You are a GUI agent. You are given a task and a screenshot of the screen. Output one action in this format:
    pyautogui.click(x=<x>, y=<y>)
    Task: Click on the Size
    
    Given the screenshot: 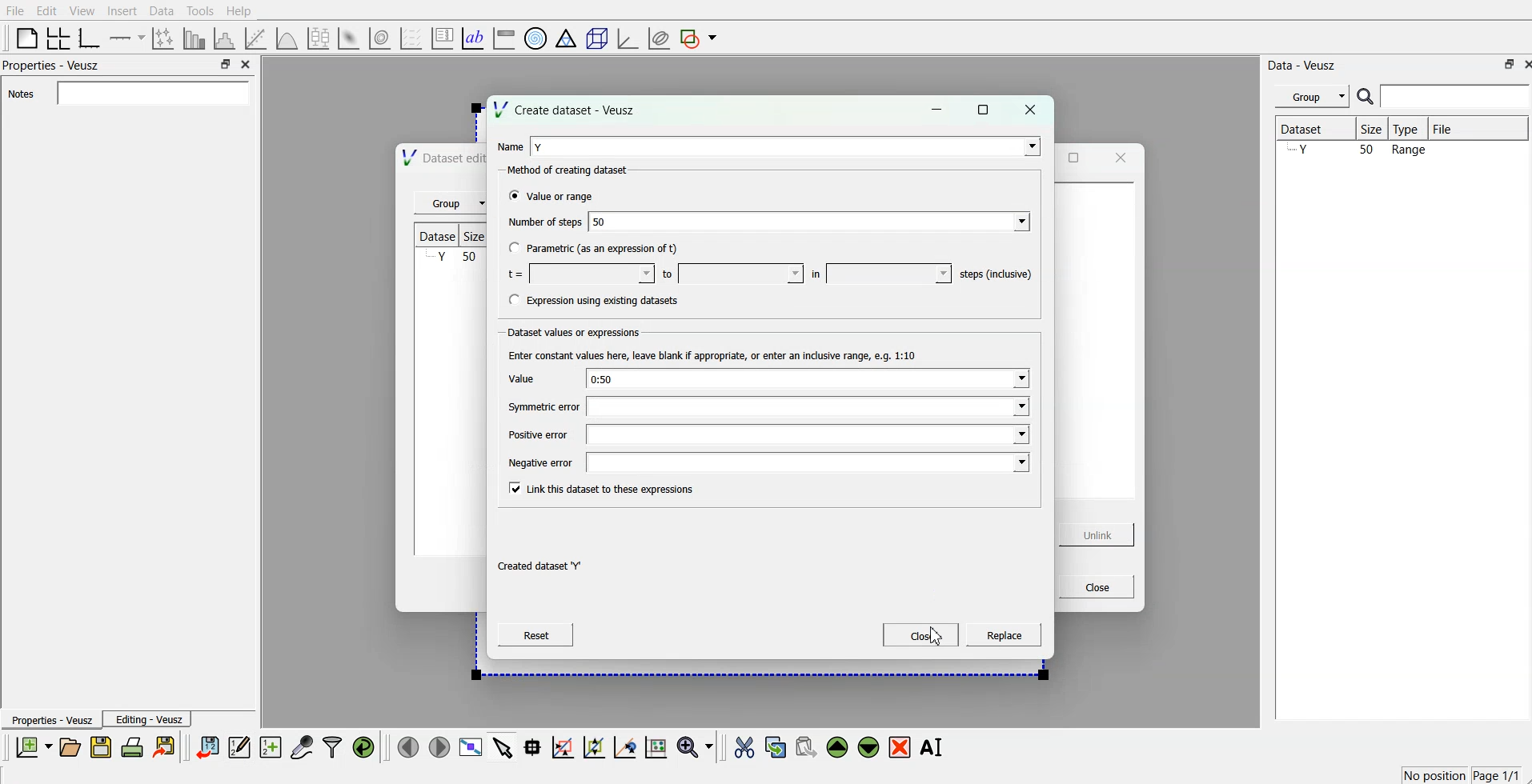 What is the action you would take?
    pyautogui.click(x=473, y=235)
    